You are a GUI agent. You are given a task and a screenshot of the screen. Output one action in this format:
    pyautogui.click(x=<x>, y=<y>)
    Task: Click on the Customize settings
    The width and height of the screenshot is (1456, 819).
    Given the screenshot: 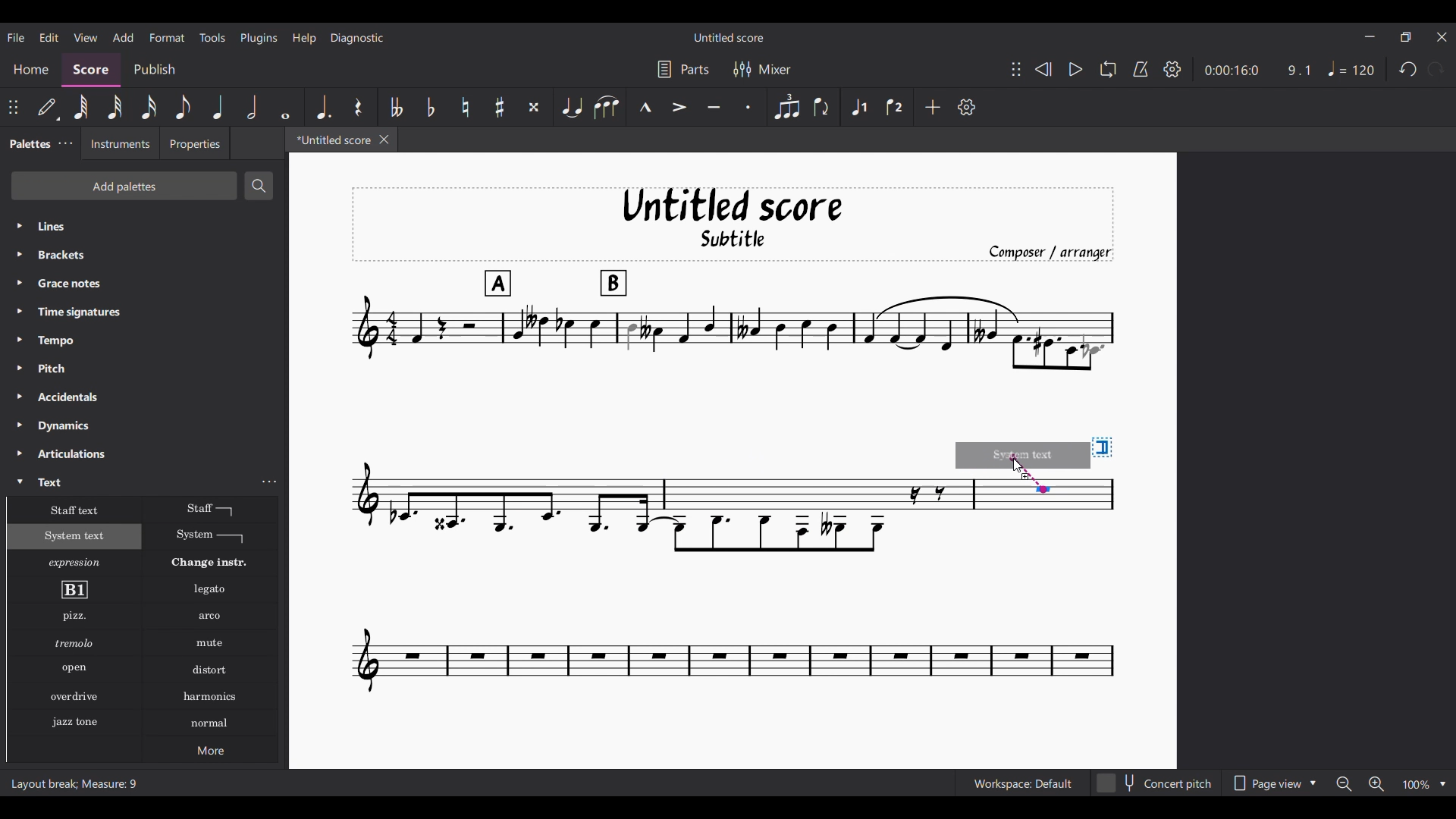 What is the action you would take?
    pyautogui.click(x=967, y=107)
    